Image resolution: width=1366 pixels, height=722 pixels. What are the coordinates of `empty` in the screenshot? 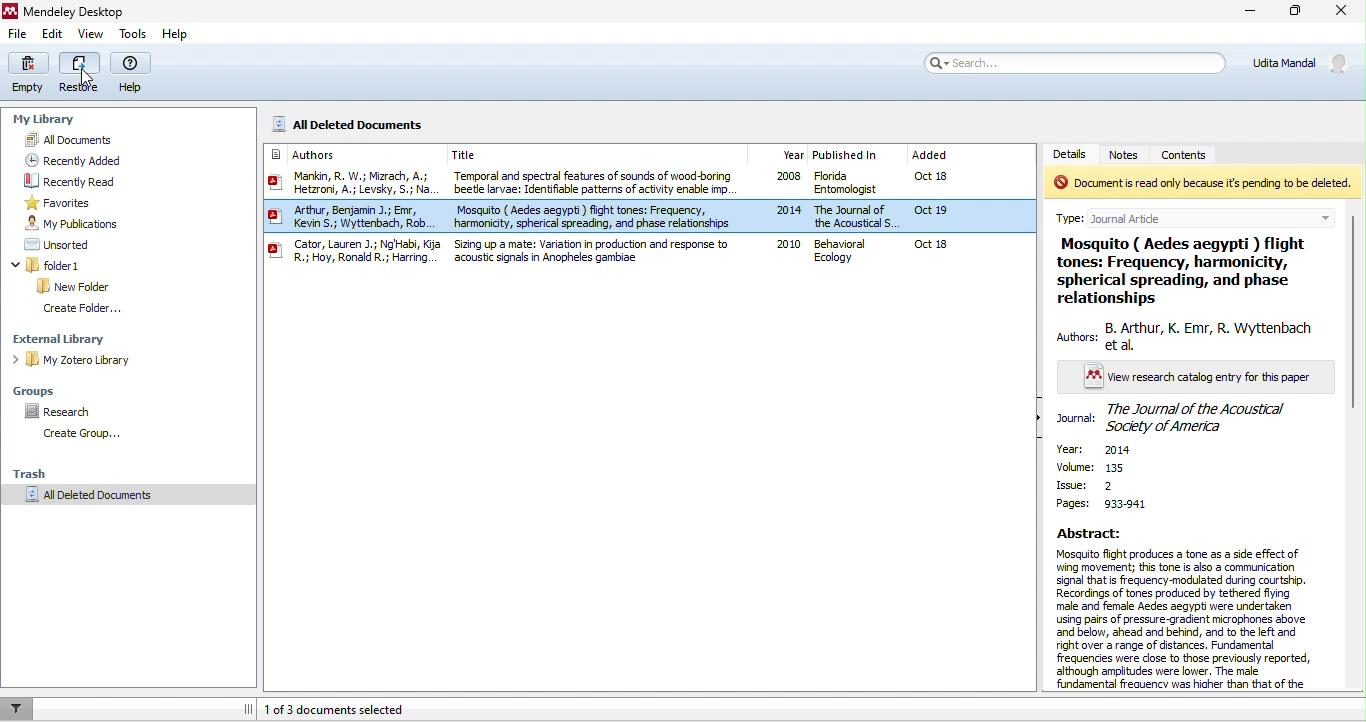 It's located at (31, 73).